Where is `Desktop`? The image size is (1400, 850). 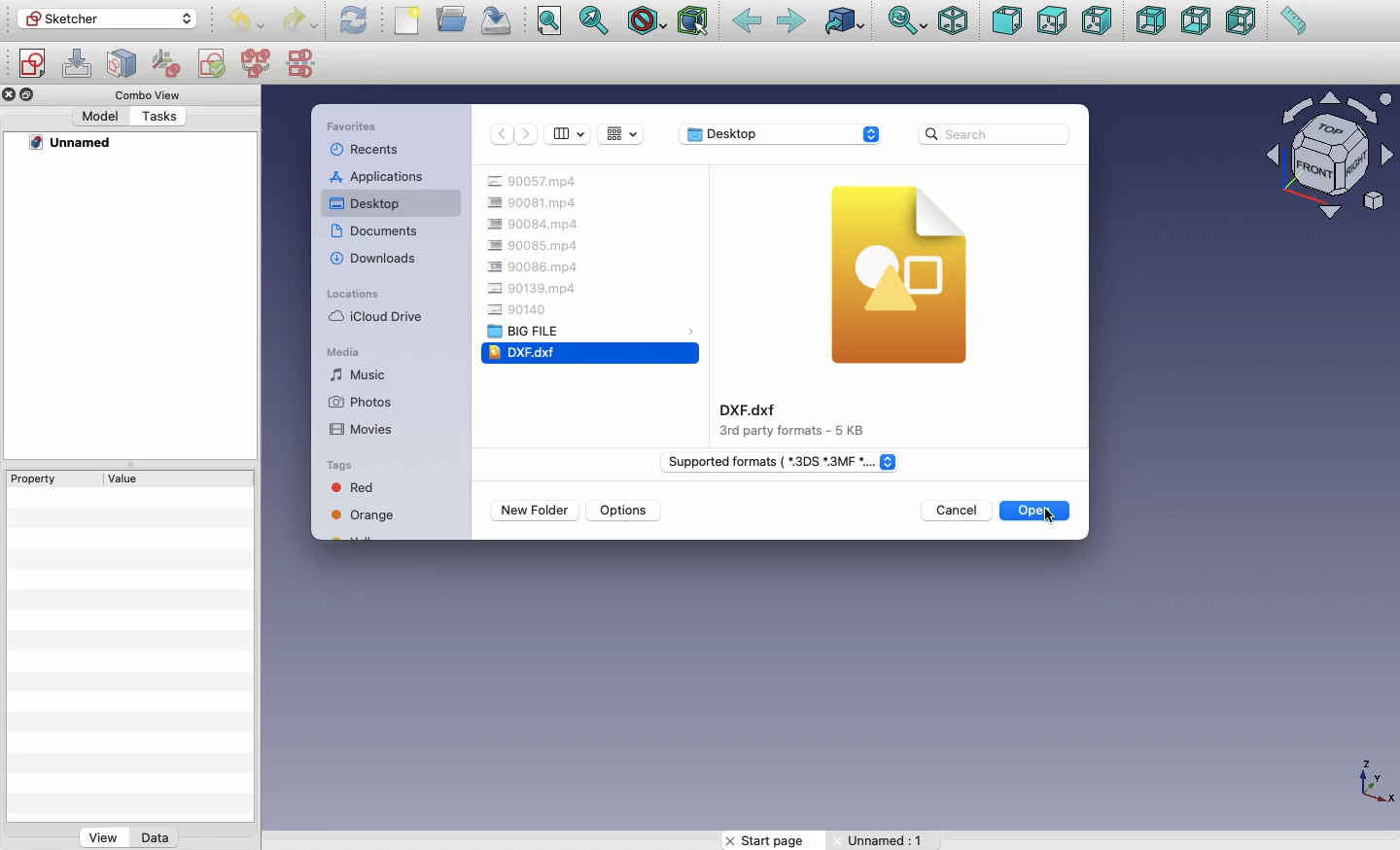 Desktop is located at coordinates (367, 202).